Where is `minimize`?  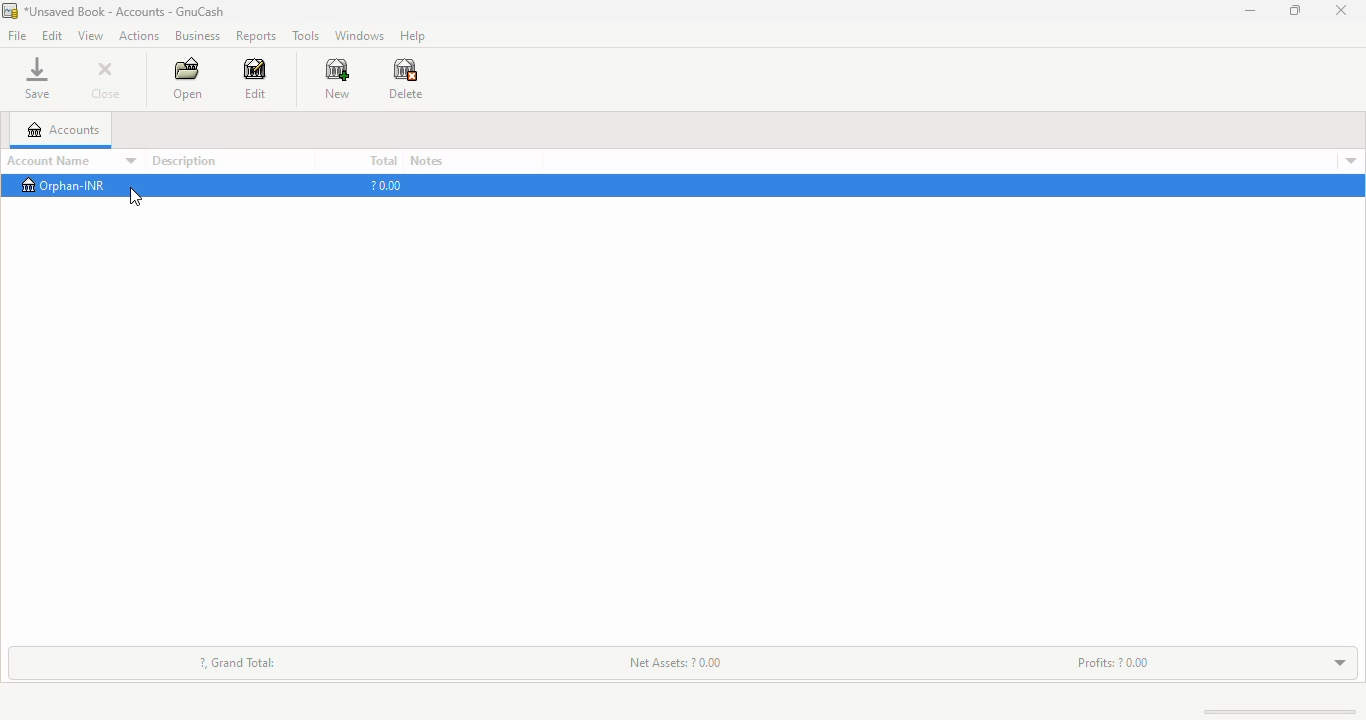
minimize is located at coordinates (1250, 10).